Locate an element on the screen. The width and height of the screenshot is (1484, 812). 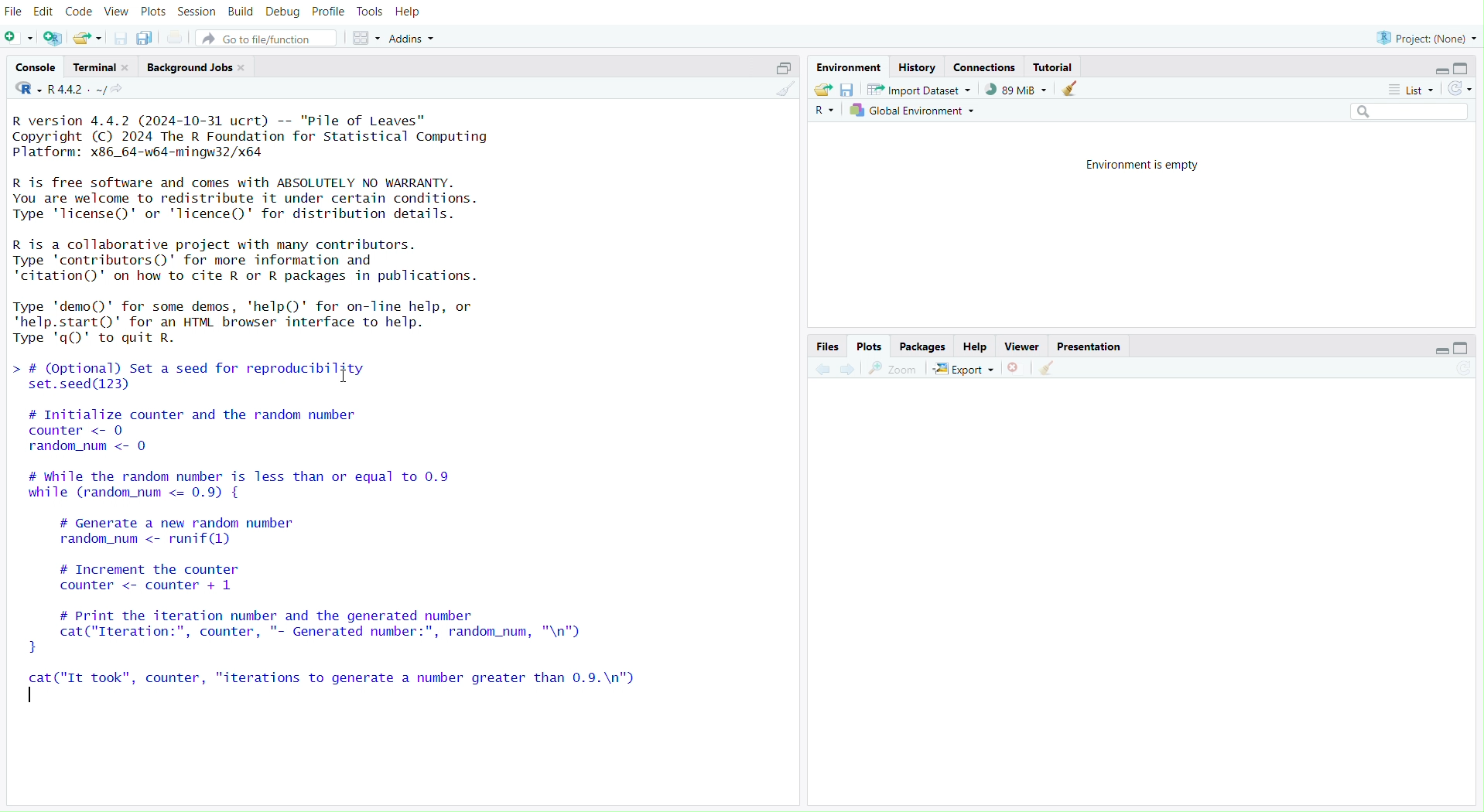
Help is located at coordinates (412, 10).